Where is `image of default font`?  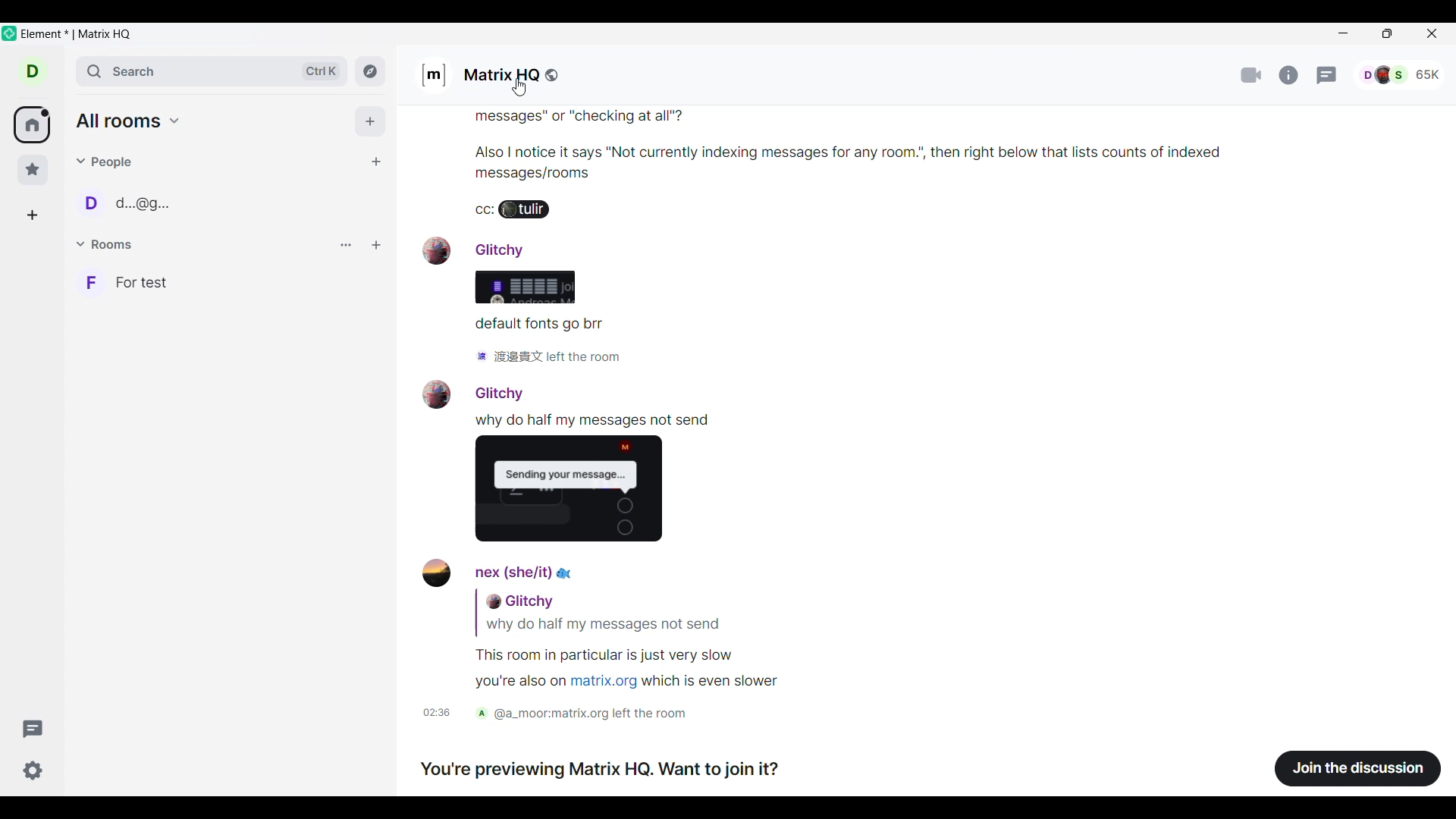 image of default font is located at coordinates (522, 288).